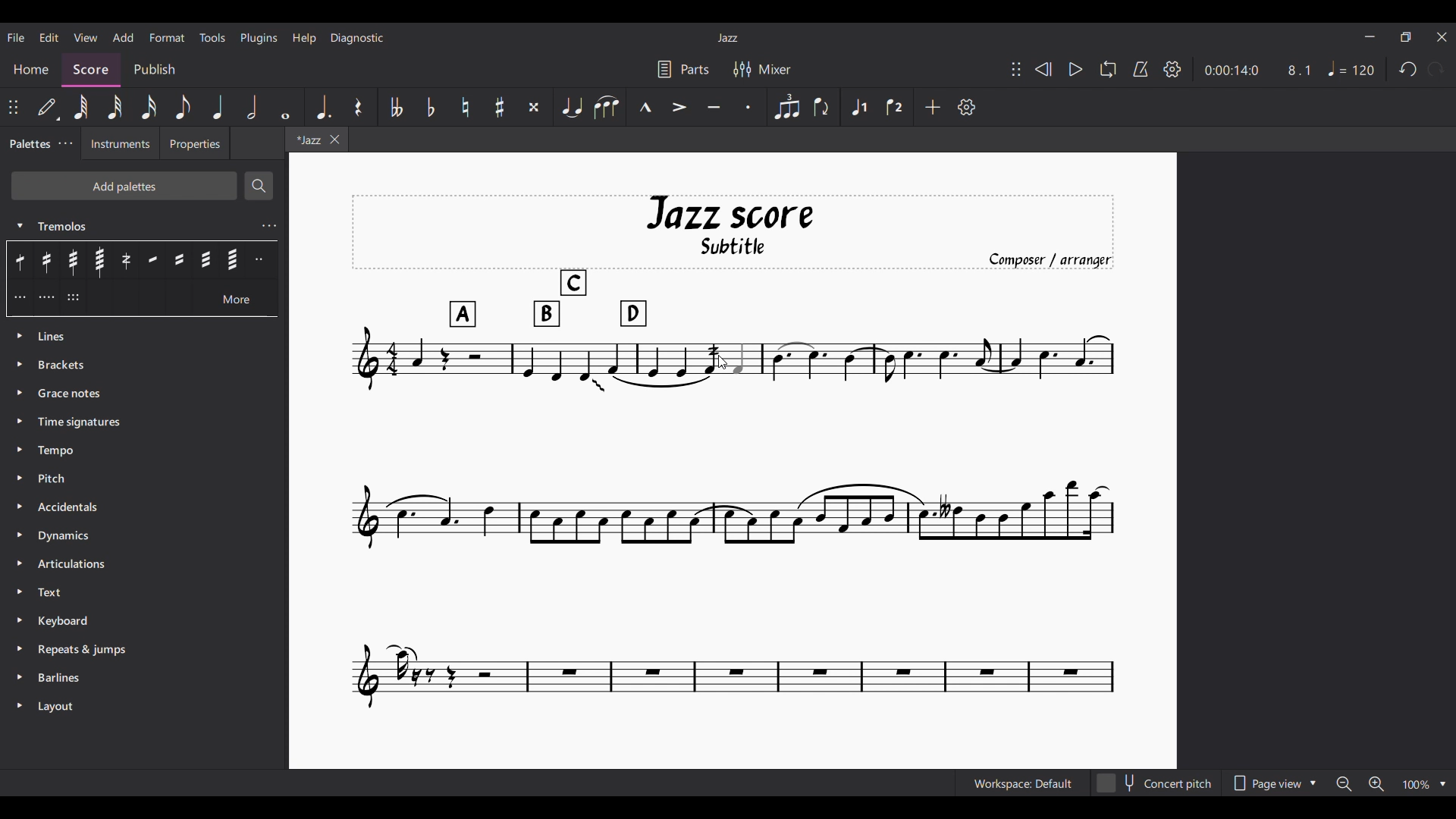  Describe the element at coordinates (143, 365) in the screenshot. I see `Brackets` at that location.